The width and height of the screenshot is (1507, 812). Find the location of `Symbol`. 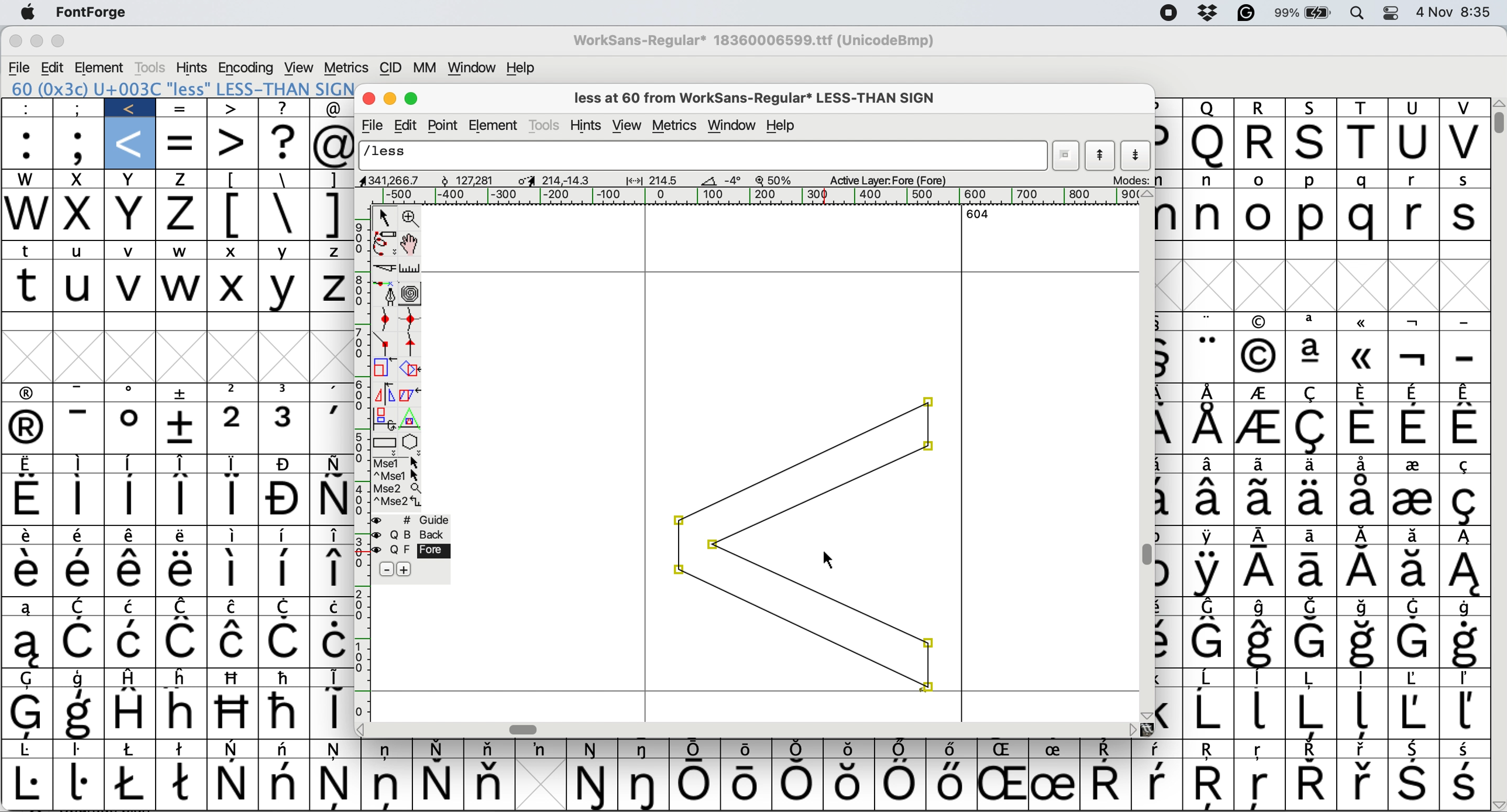

Symbol is located at coordinates (1210, 607).